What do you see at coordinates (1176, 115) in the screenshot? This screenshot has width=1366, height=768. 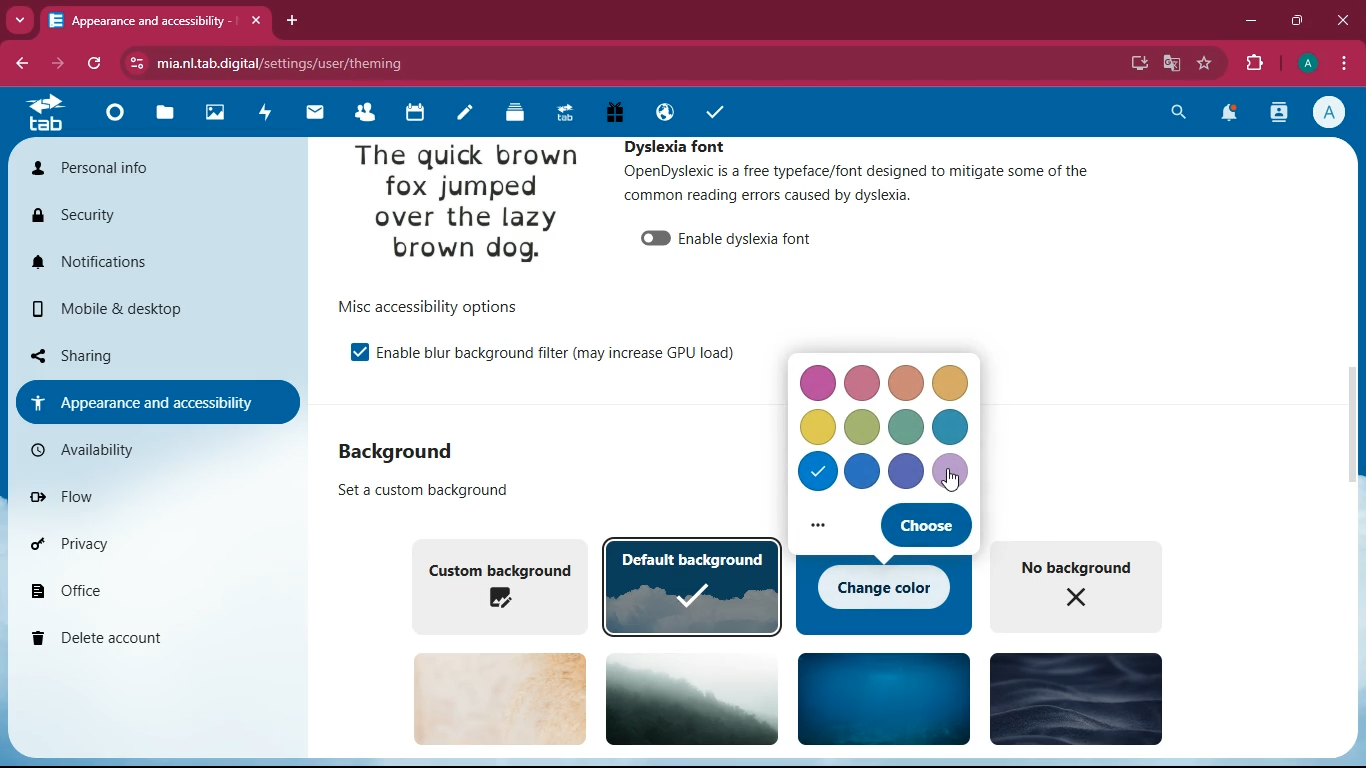 I see `search` at bounding box center [1176, 115].